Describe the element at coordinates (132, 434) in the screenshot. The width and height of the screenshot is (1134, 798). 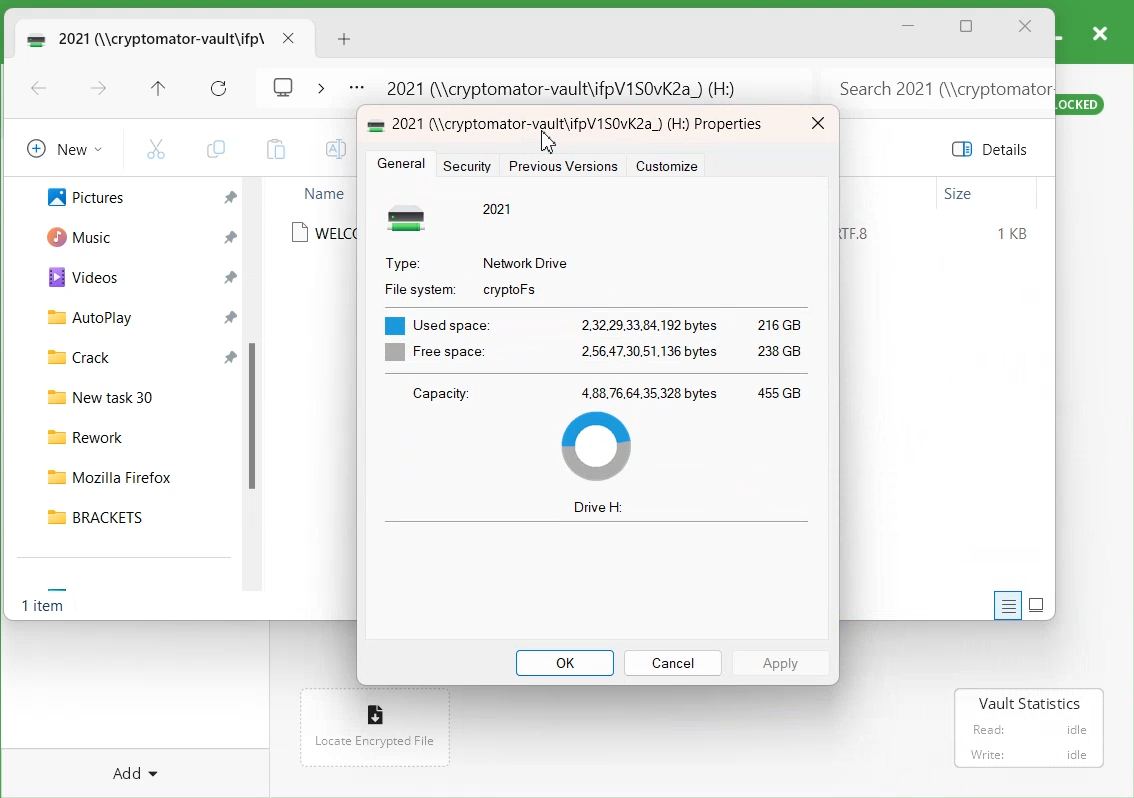
I see `Rework` at that location.